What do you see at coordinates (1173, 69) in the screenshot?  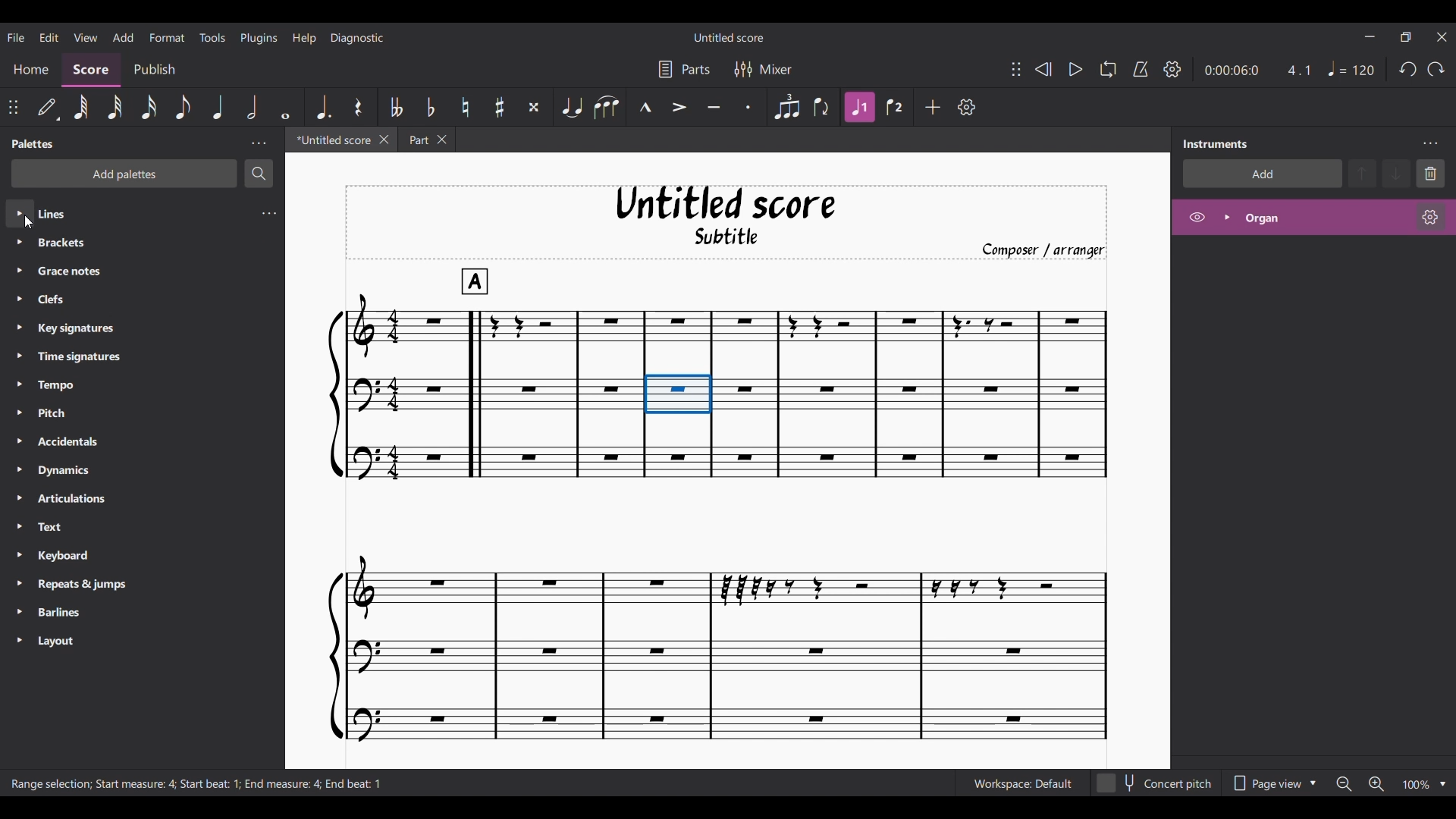 I see `Playback settings` at bounding box center [1173, 69].